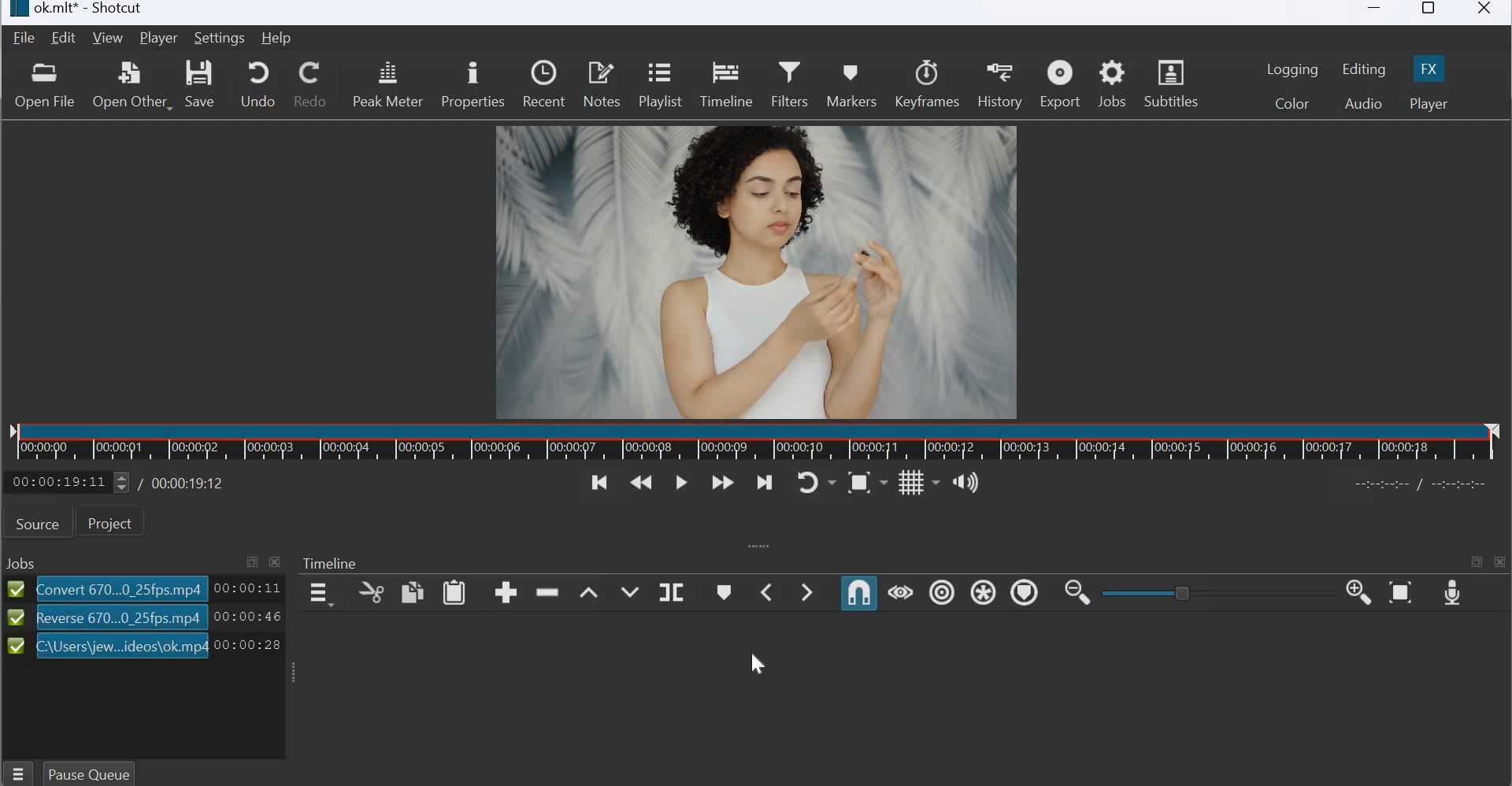 The width and height of the screenshot is (1512, 786). What do you see at coordinates (663, 86) in the screenshot?
I see `Playlist` at bounding box center [663, 86].